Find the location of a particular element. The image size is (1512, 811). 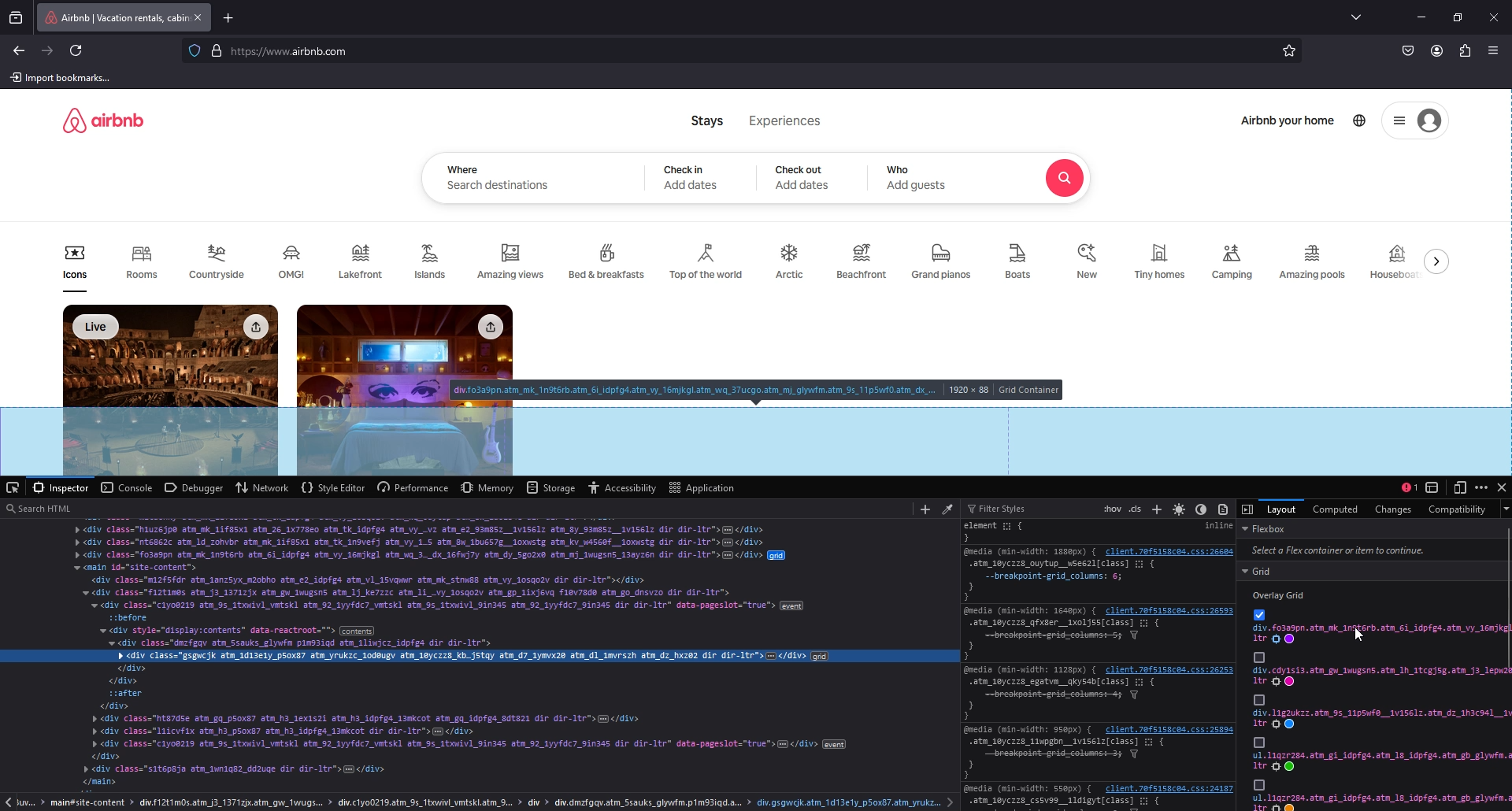

options is located at coordinates (1399, 121).